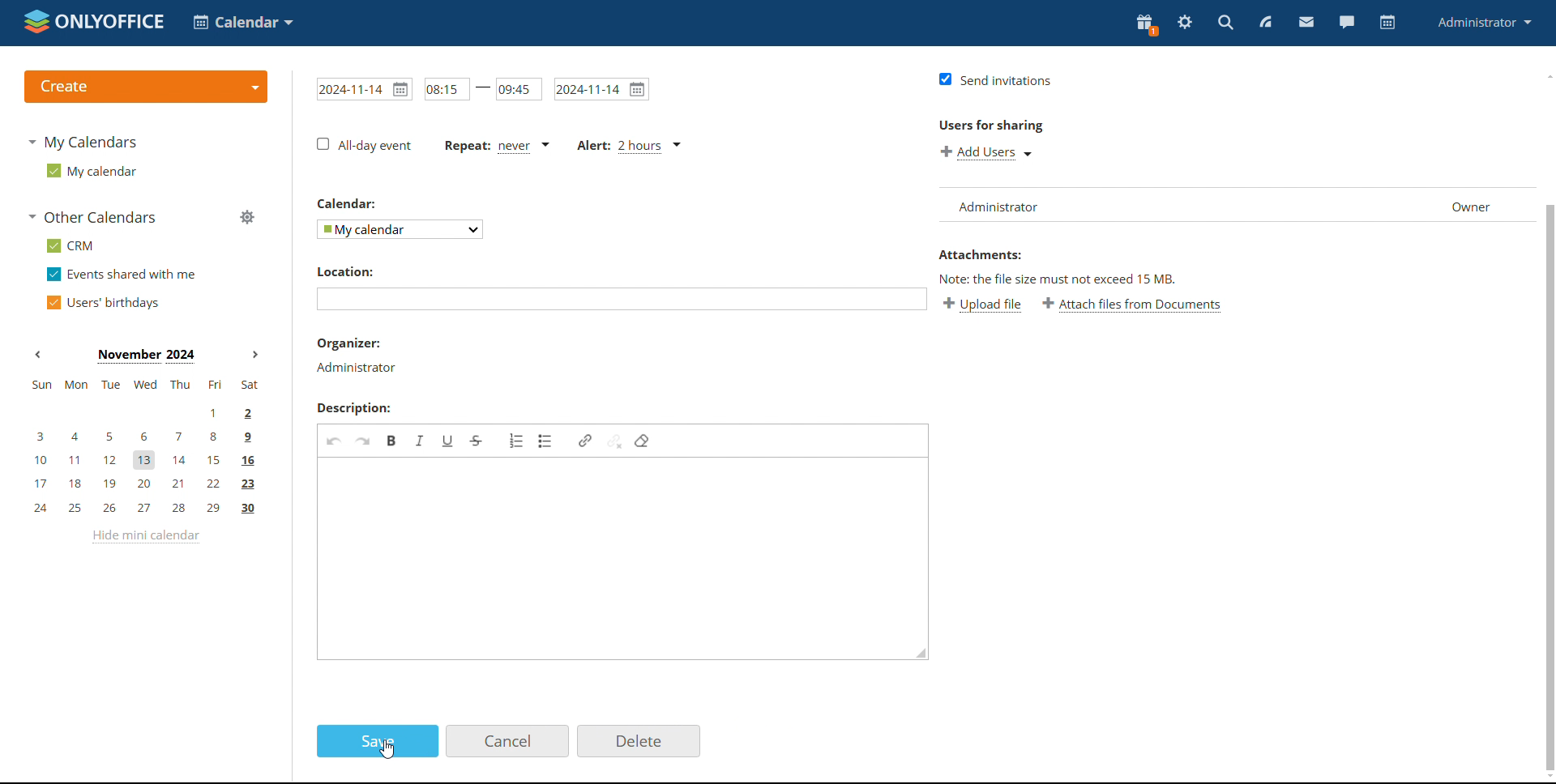 The height and width of the screenshot is (784, 1556). I want to click on present, so click(1145, 26).